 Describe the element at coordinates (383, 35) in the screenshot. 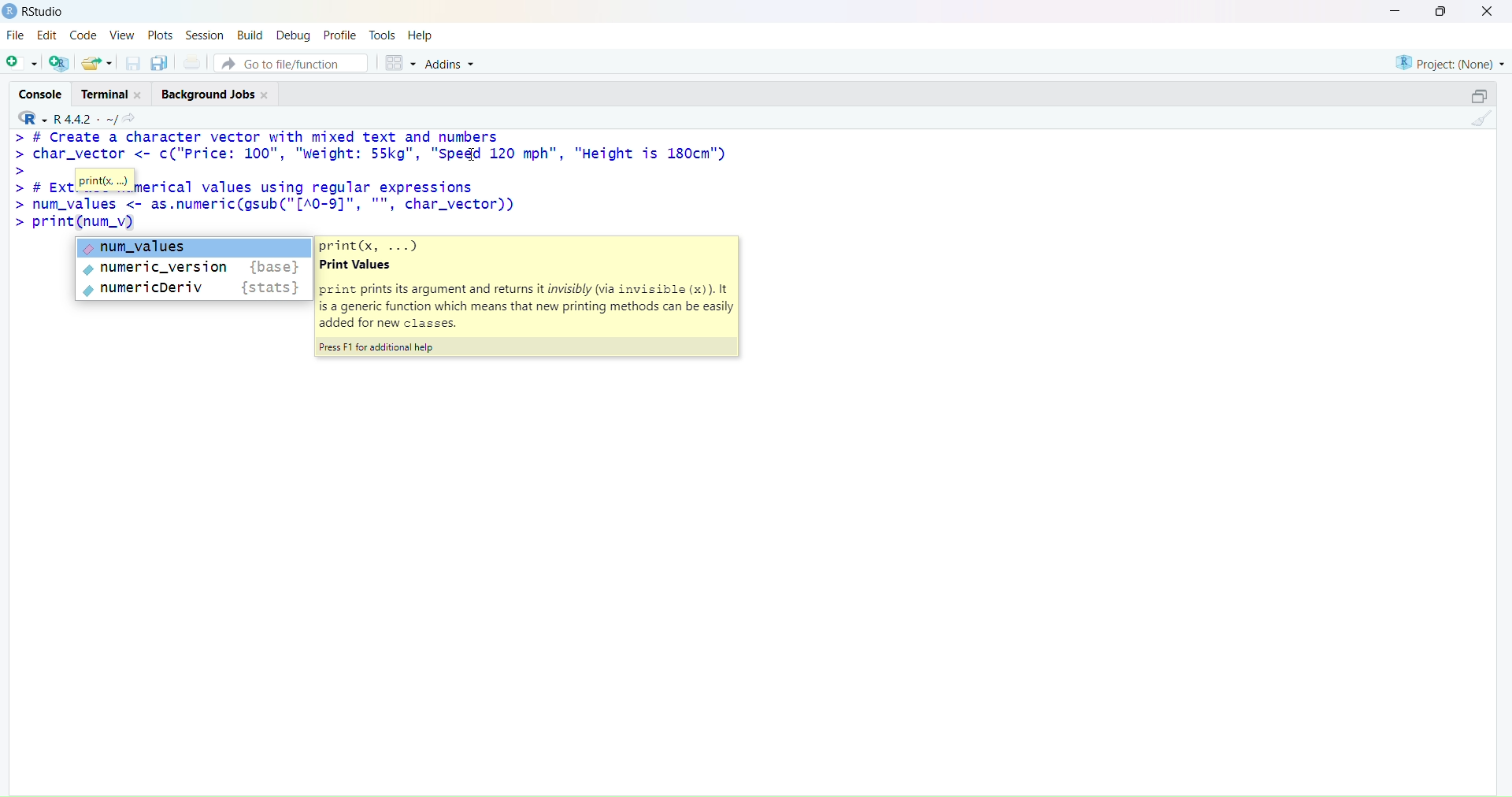

I see `tools` at that location.